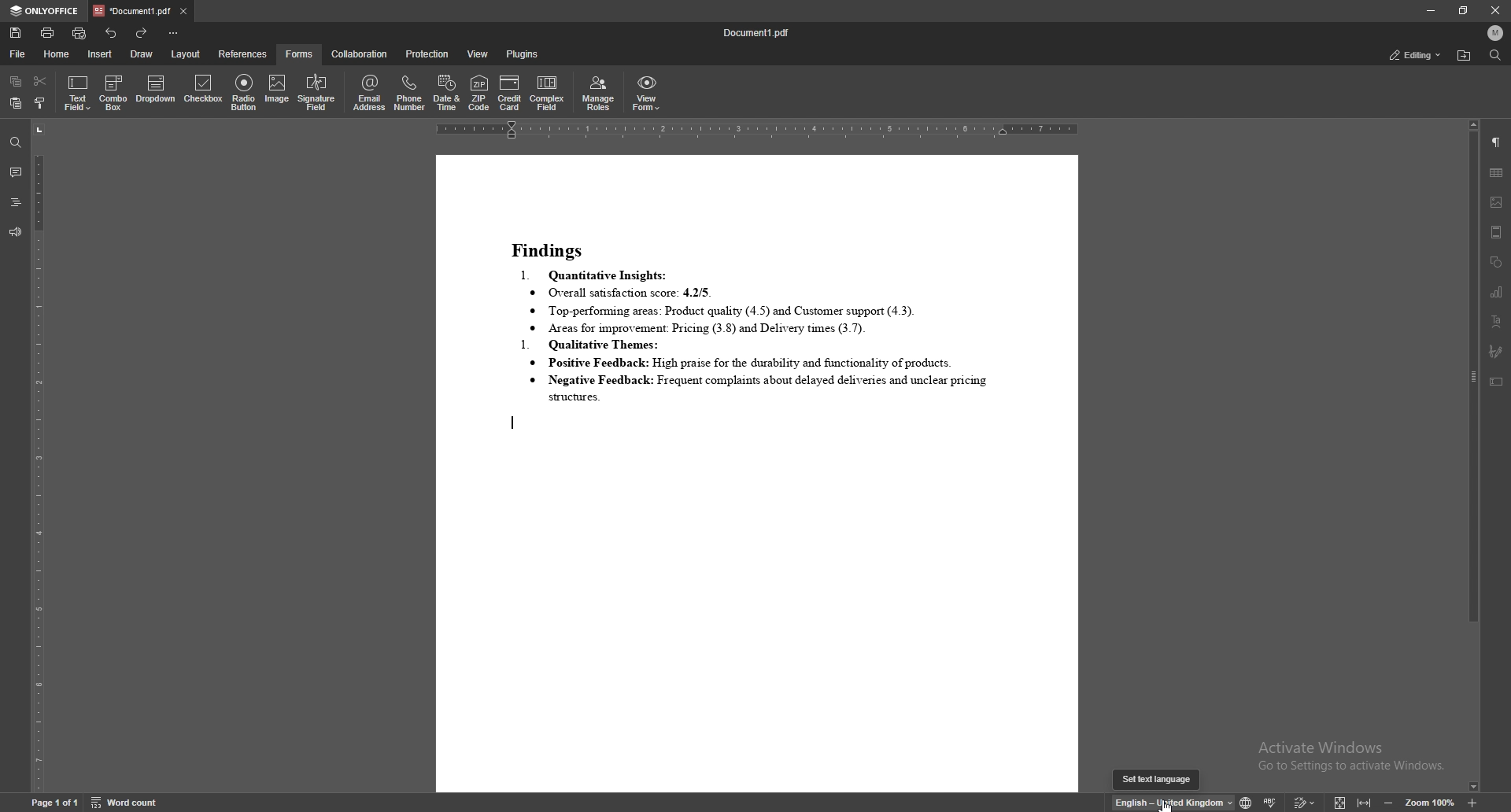 The height and width of the screenshot is (812, 1511). Describe the element at coordinates (38, 458) in the screenshot. I see `vertical scale` at that location.